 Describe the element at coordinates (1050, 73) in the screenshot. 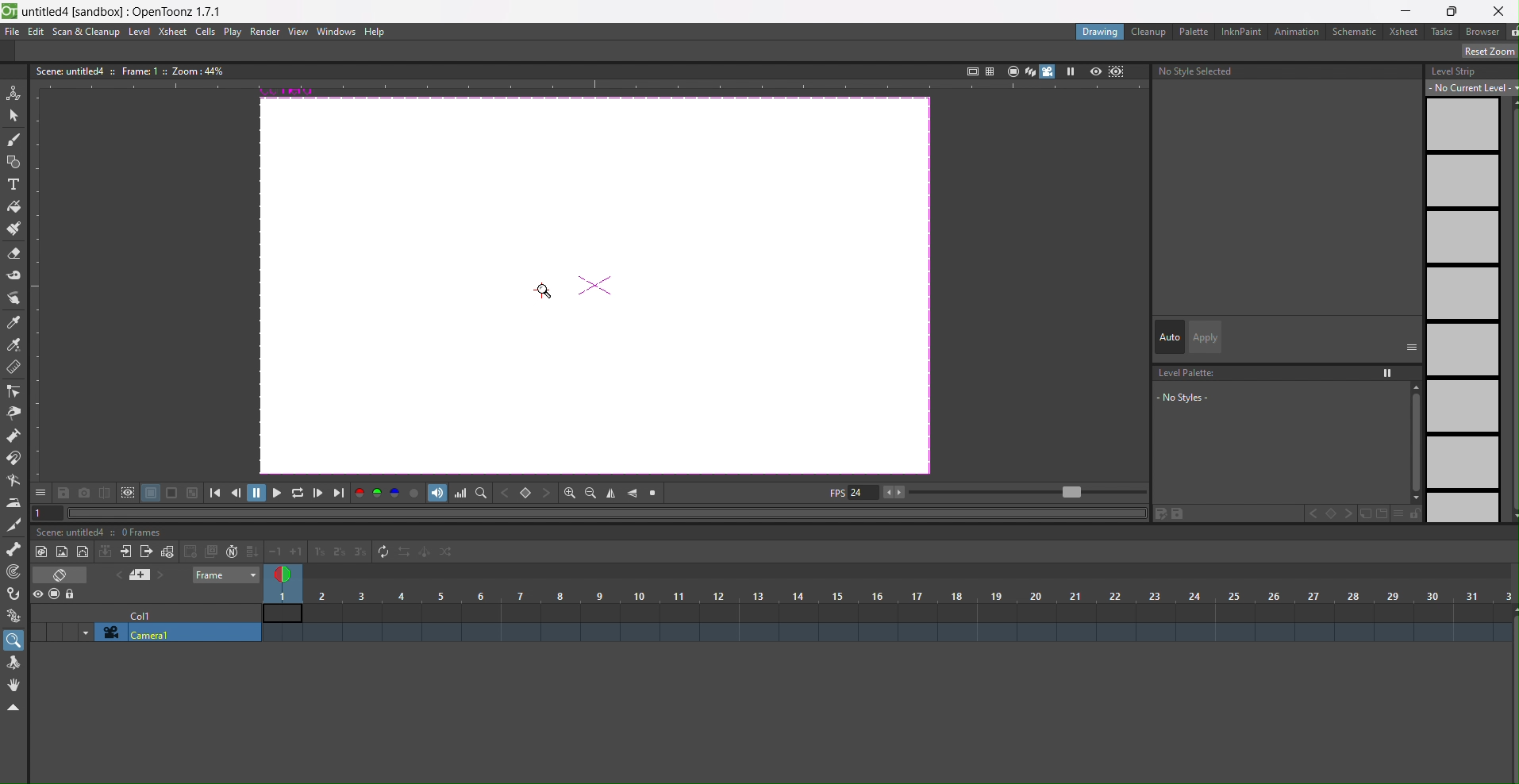

I see `camera toggle view` at that location.